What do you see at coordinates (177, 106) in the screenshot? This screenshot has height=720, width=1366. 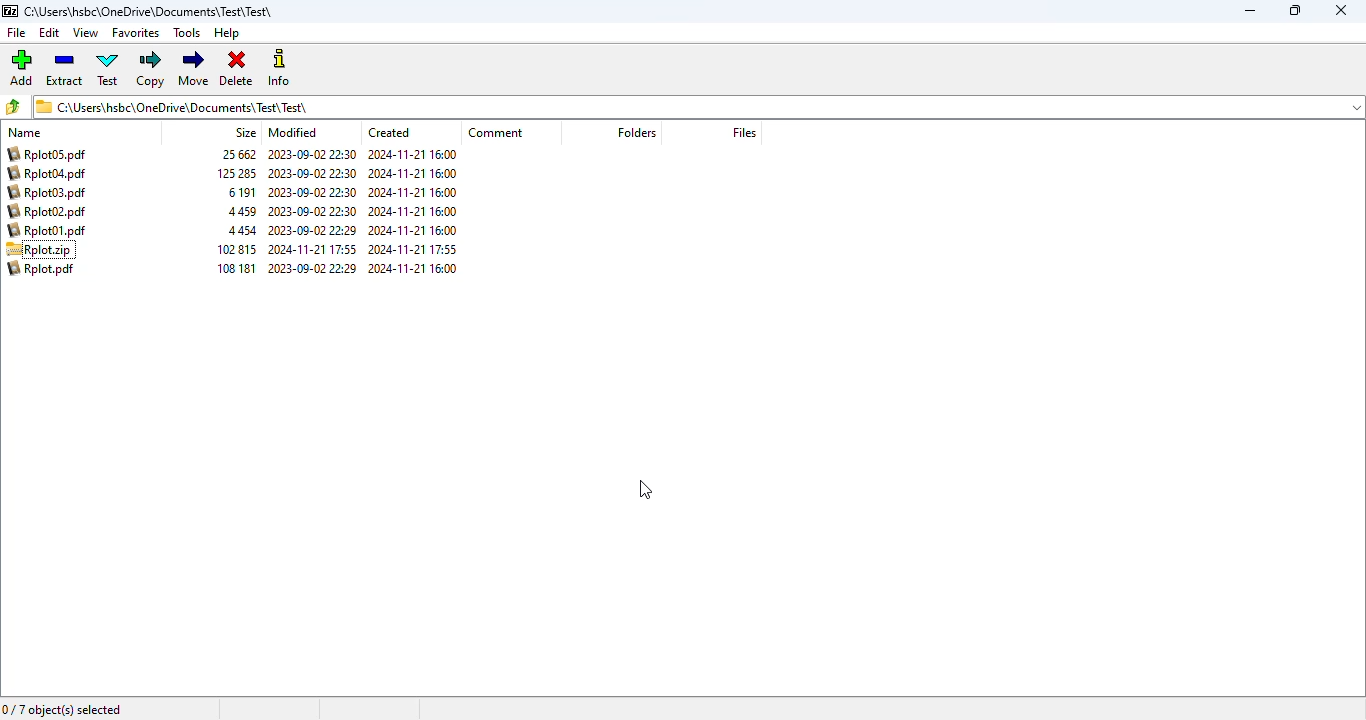 I see `| C:\Users\hsbc\OneDrive\Documents\ Test\ Test\` at bounding box center [177, 106].